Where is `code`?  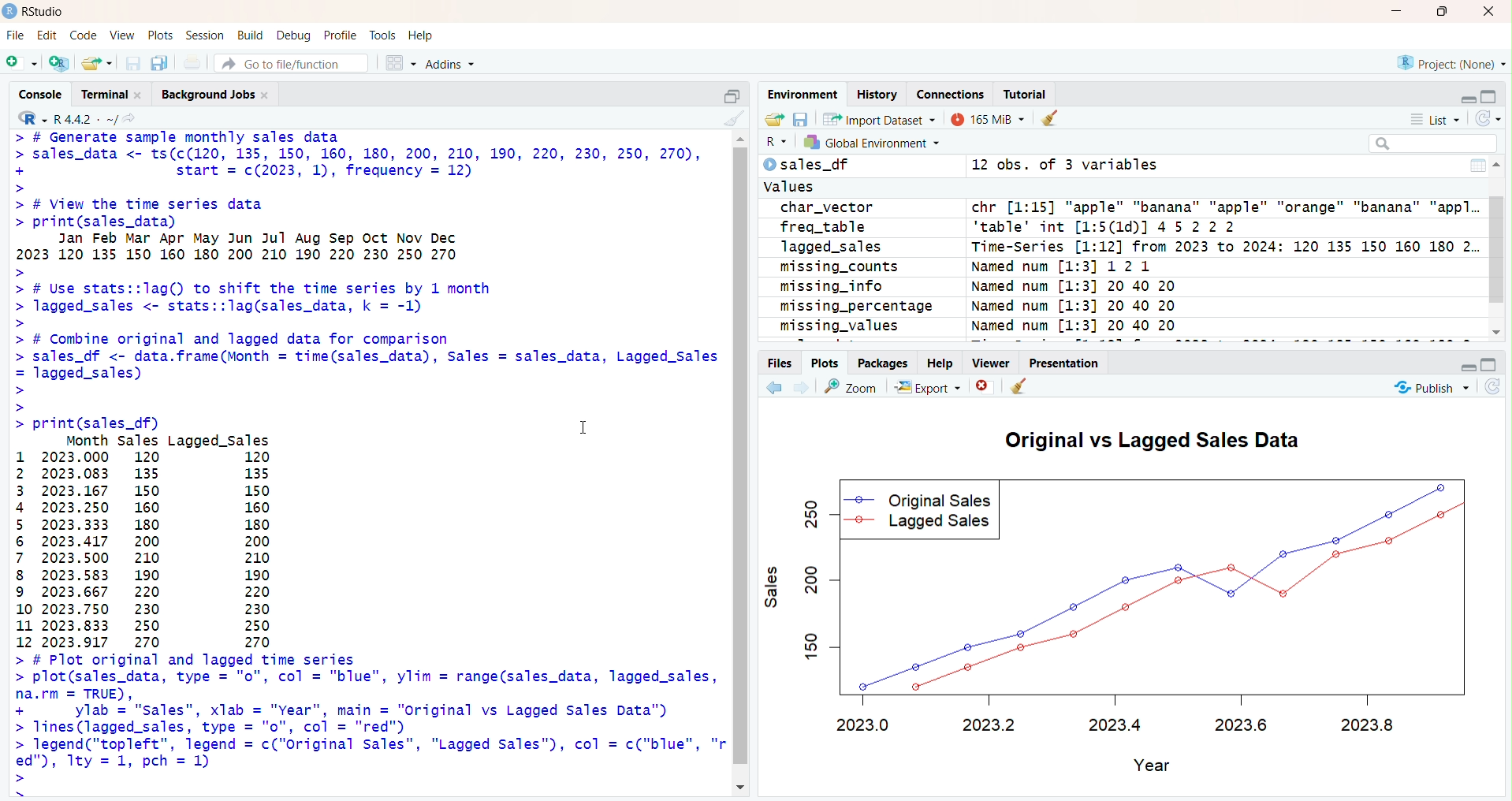
code is located at coordinates (84, 36).